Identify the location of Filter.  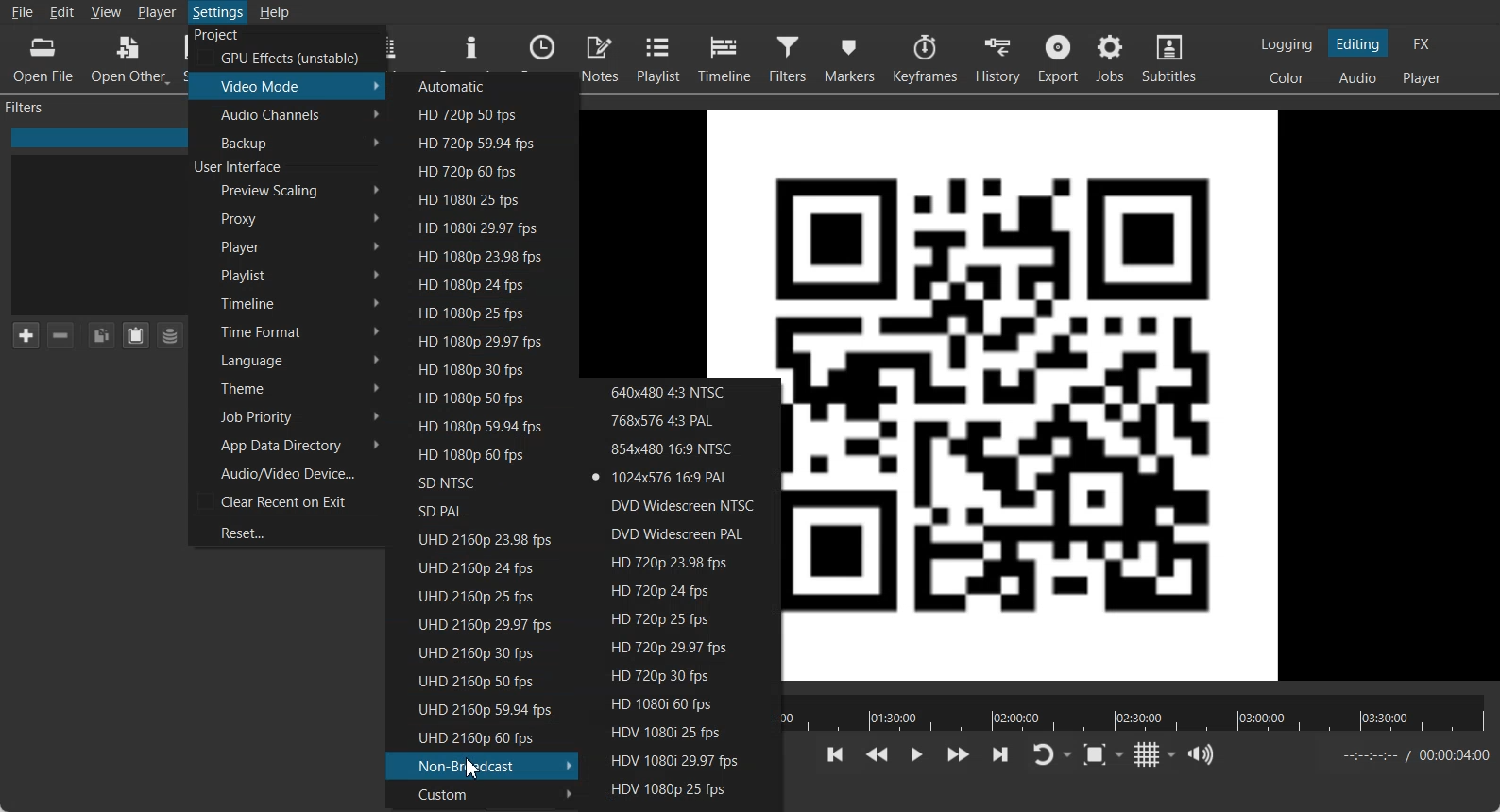
(788, 59).